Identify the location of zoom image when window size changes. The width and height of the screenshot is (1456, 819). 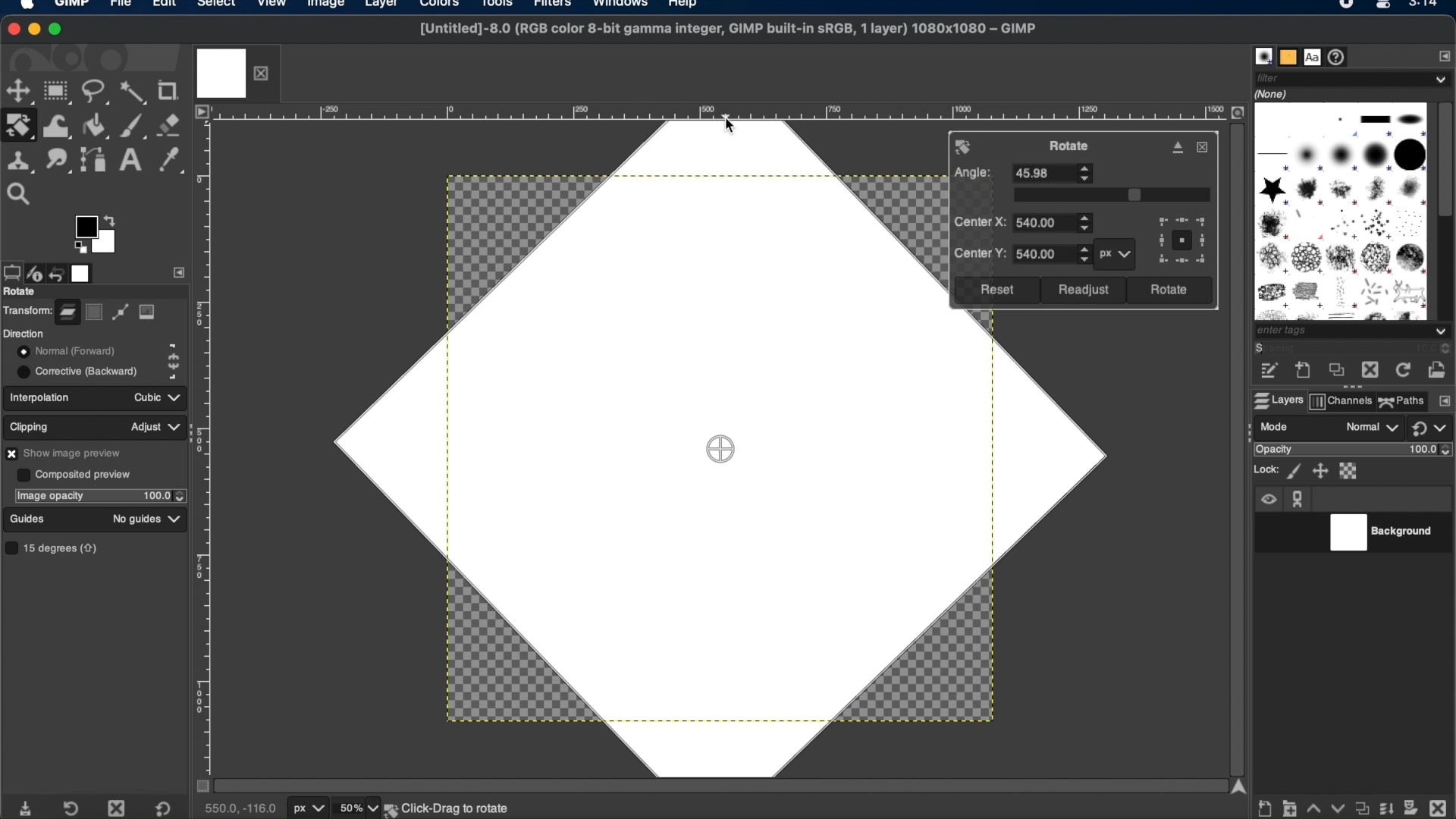
(1237, 113).